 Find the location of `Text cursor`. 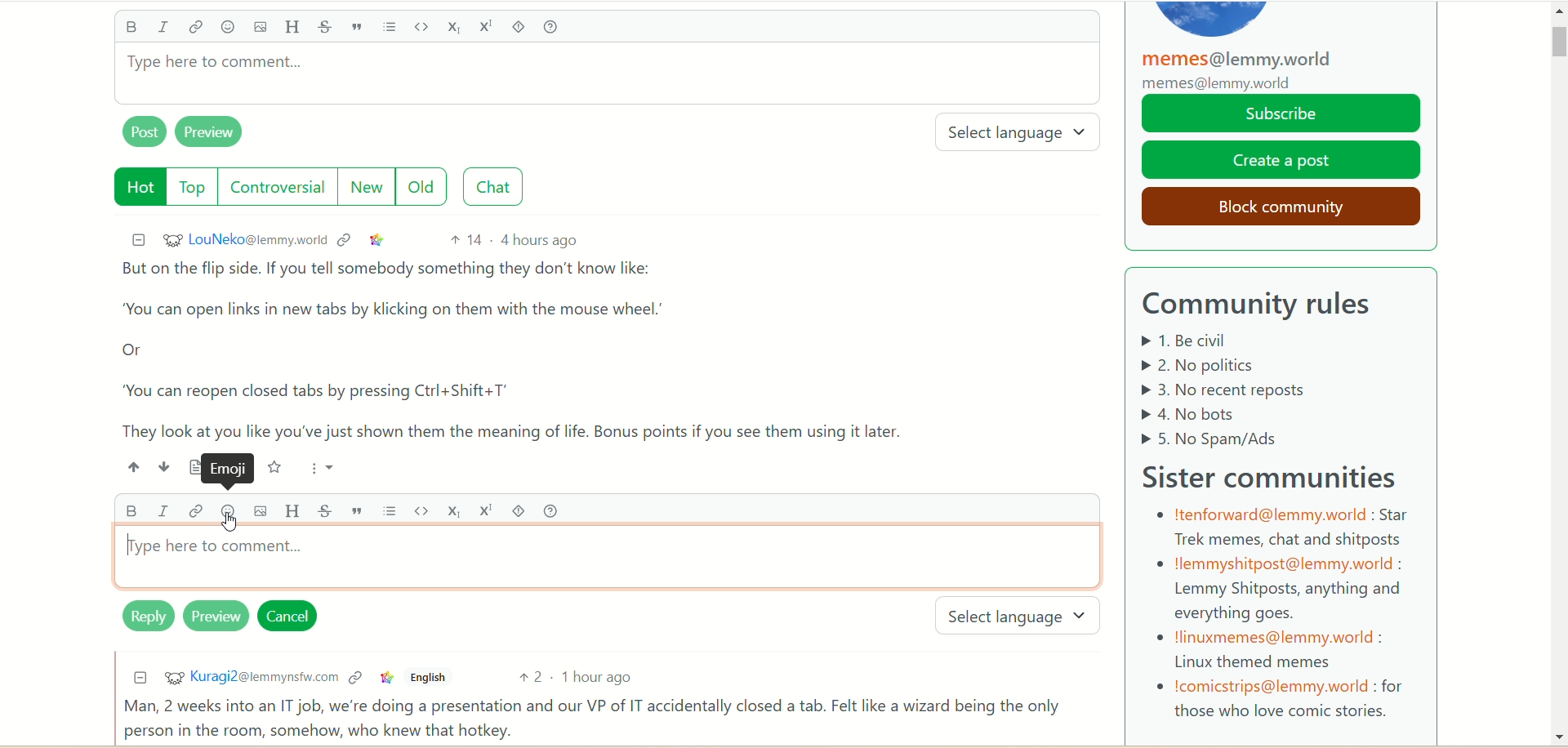

Text cursor is located at coordinates (126, 550).